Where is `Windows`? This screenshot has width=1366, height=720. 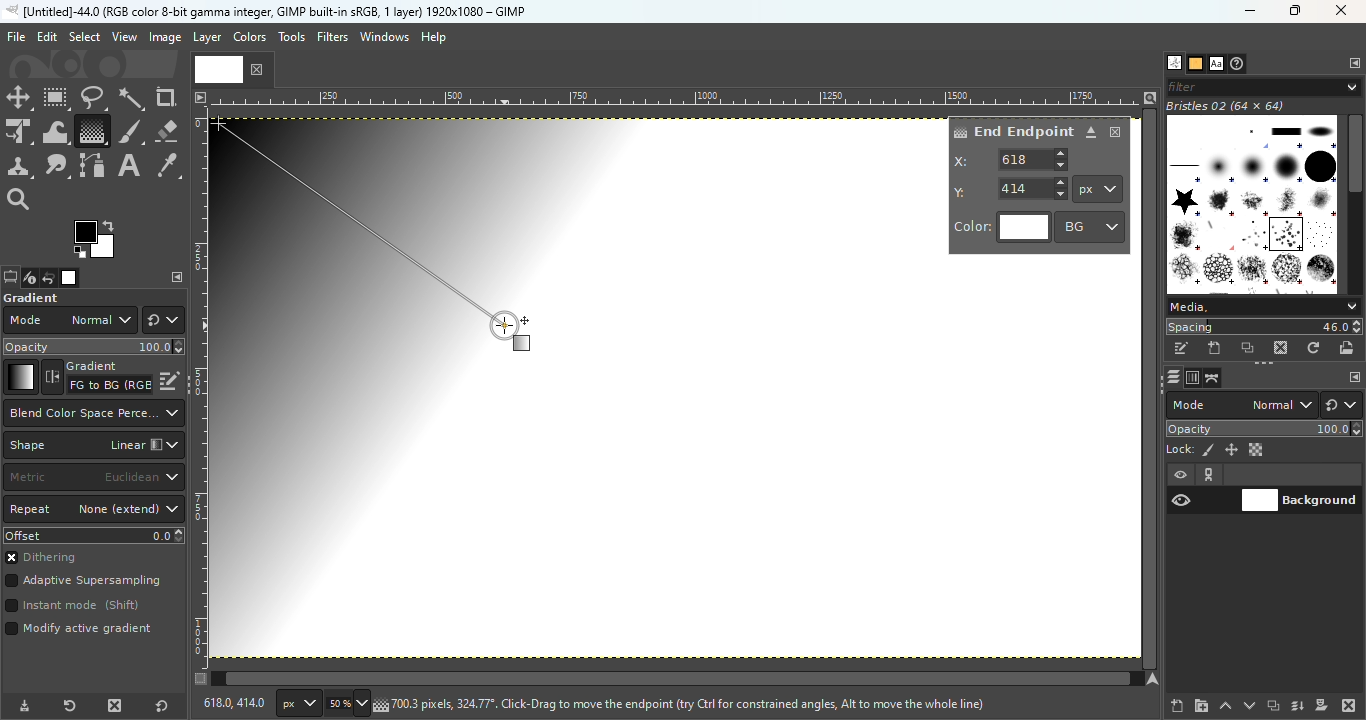
Windows is located at coordinates (384, 37).